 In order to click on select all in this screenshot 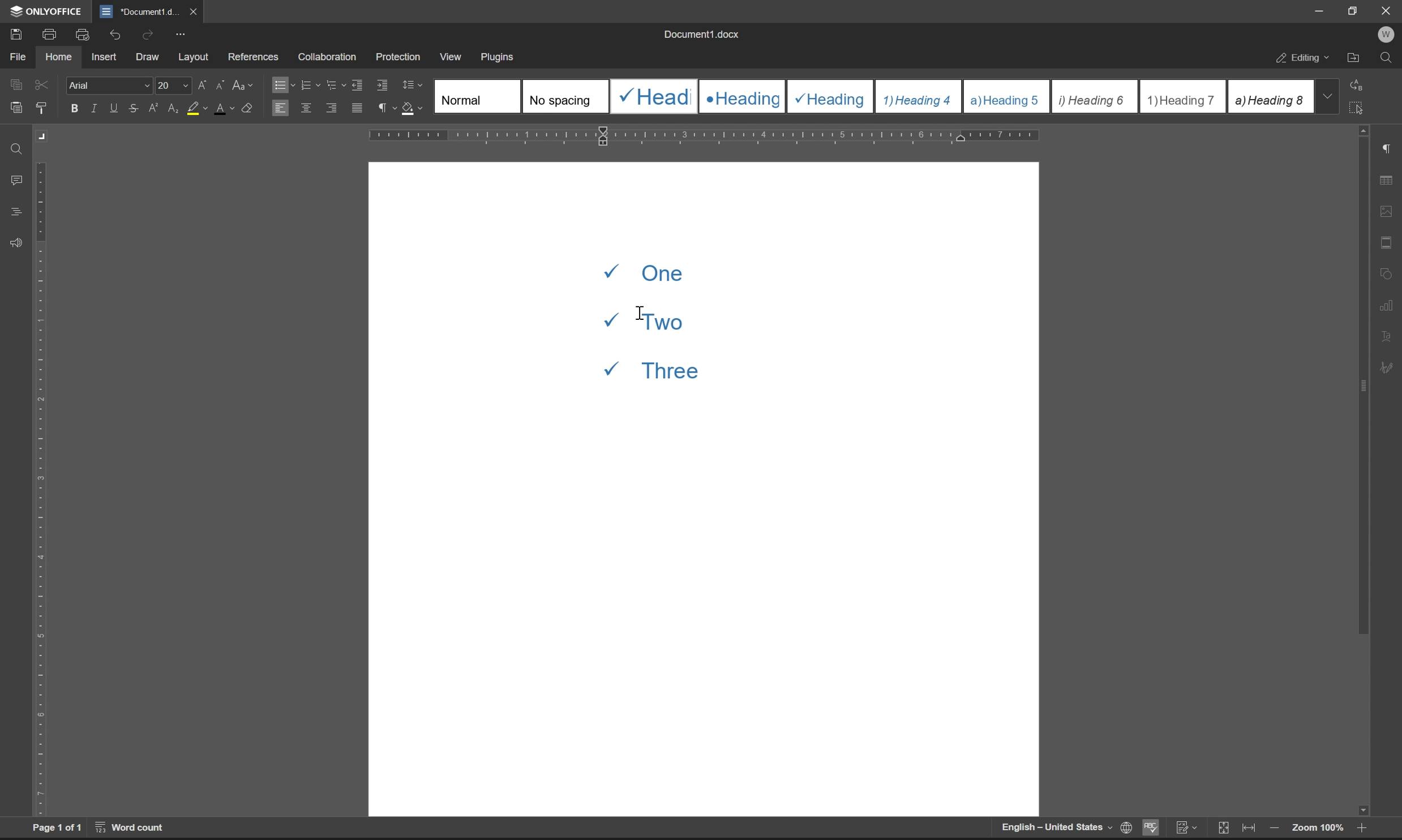, I will do `click(1359, 107)`.